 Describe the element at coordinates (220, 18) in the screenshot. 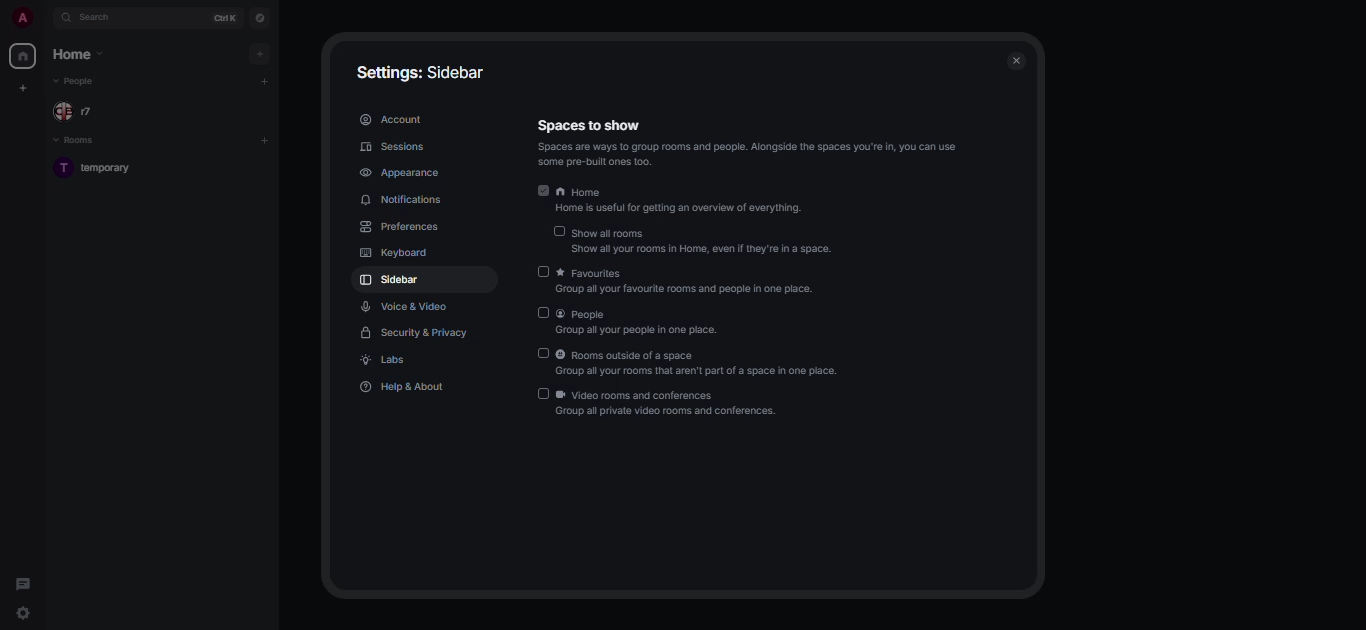

I see `ctrl K` at that location.